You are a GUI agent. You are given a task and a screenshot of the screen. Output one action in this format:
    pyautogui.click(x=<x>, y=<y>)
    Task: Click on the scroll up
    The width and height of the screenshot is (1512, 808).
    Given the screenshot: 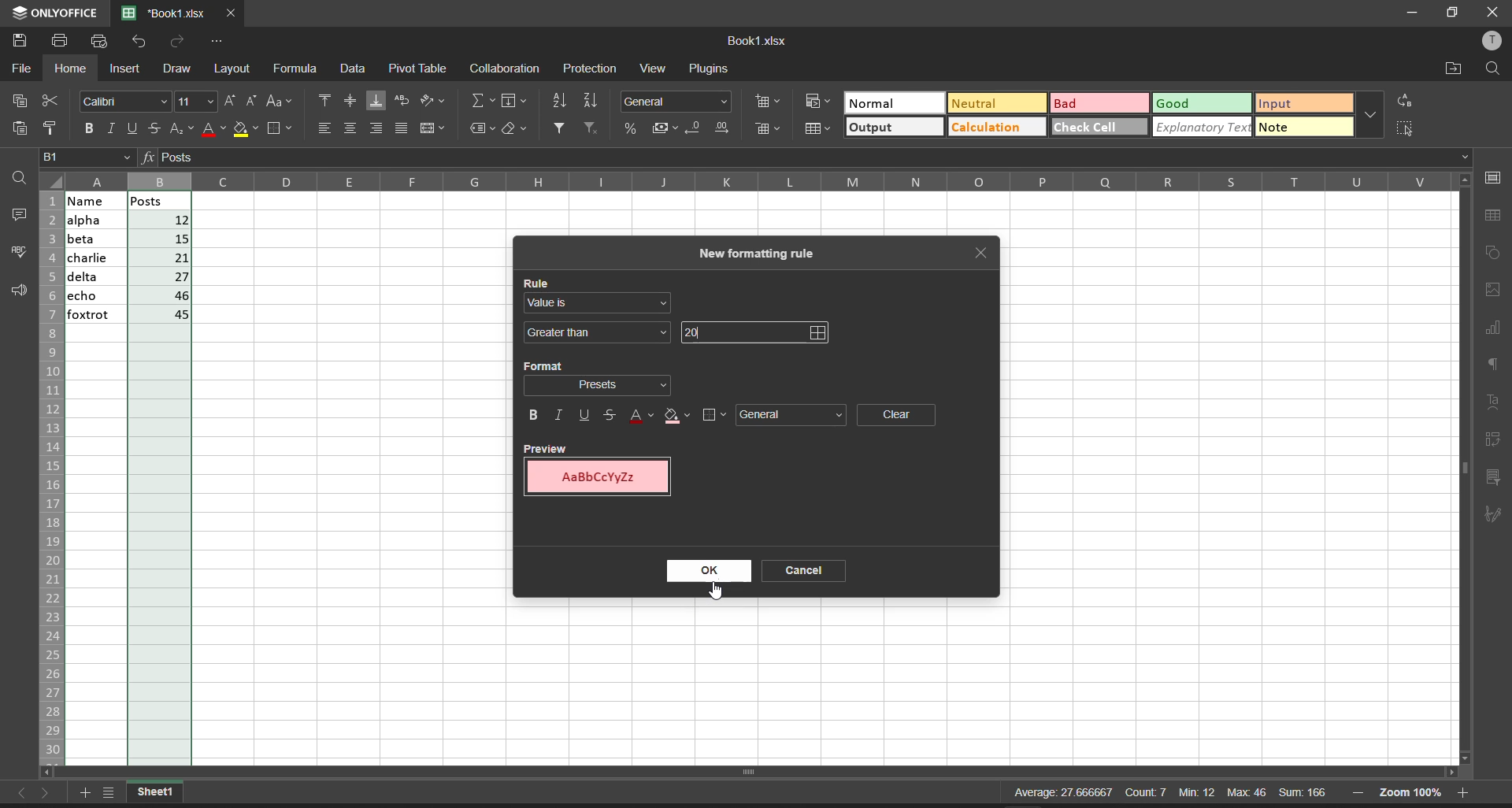 What is the action you would take?
    pyautogui.click(x=1466, y=182)
    